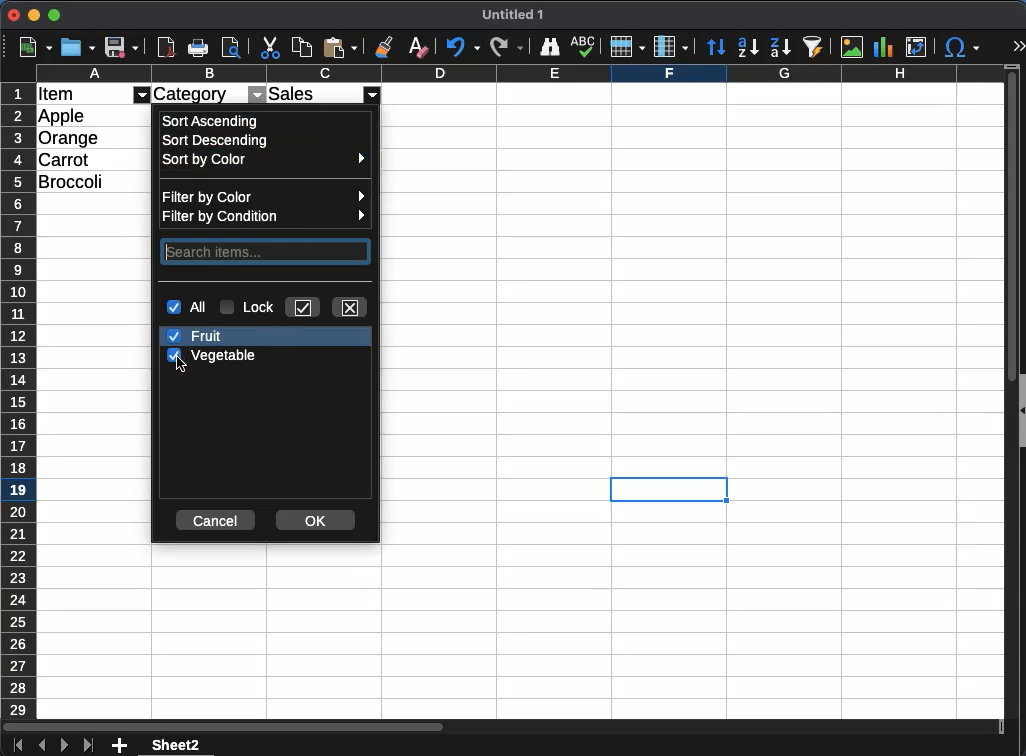 This screenshot has height=756, width=1026. Describe the element at coordinates (34, 15) in the screenshot. I see `minimize` at that location.